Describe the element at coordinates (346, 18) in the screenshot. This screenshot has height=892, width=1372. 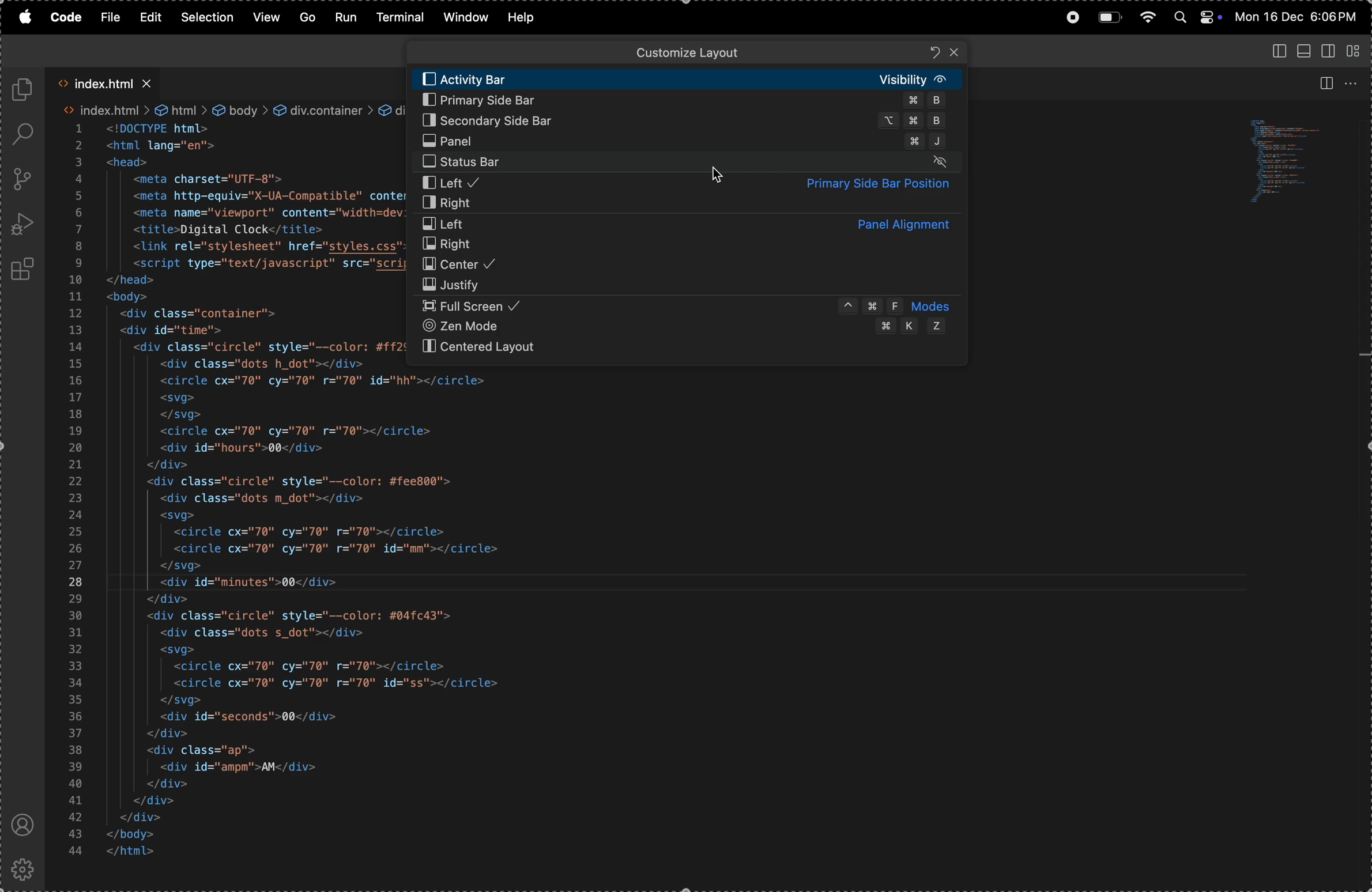
I see `run` at that location.